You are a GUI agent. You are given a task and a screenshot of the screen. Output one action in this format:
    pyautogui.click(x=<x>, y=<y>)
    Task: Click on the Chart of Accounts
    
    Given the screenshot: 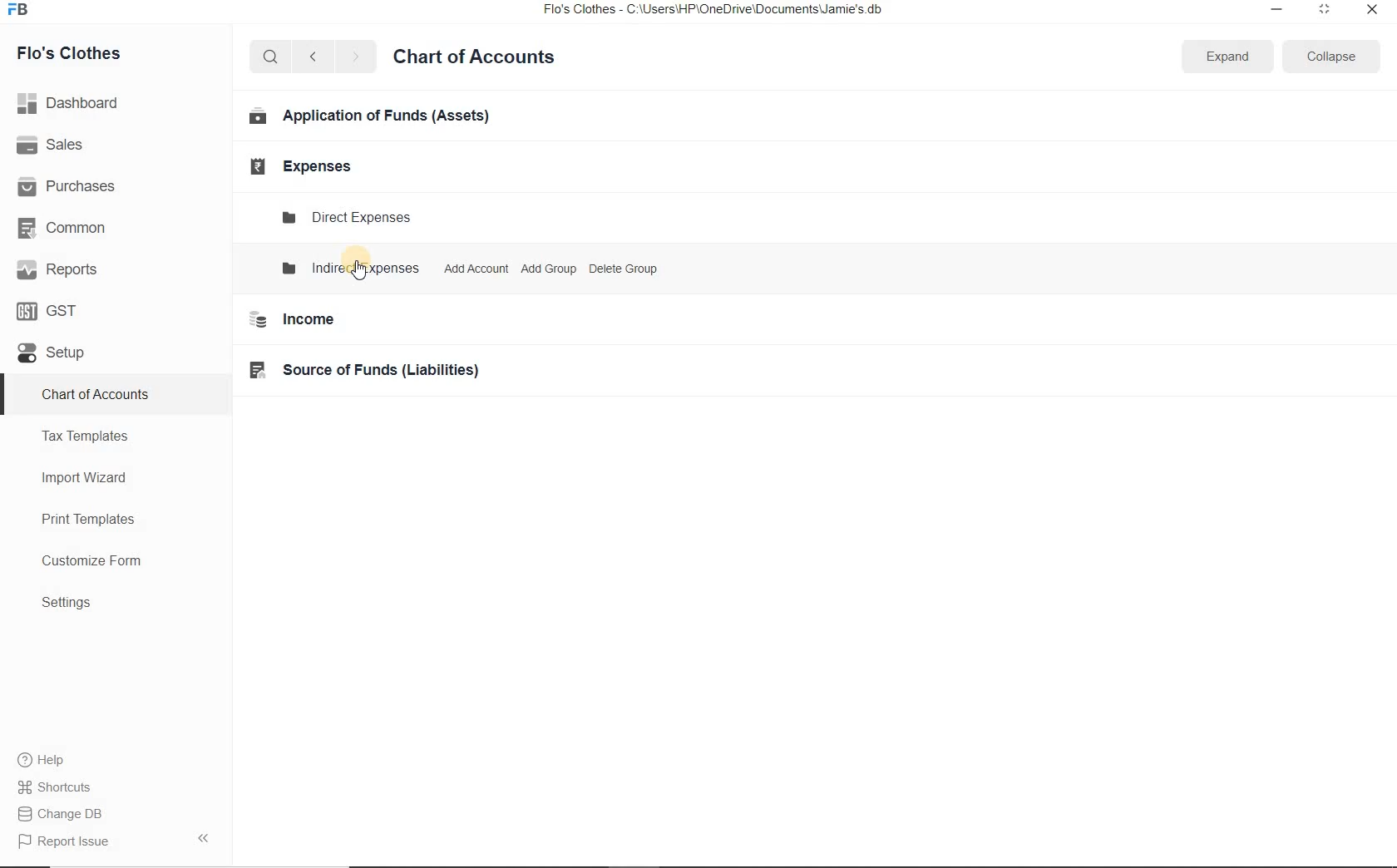 What is the action you would take?
    pyautogui.click(x=95, y=396)
    